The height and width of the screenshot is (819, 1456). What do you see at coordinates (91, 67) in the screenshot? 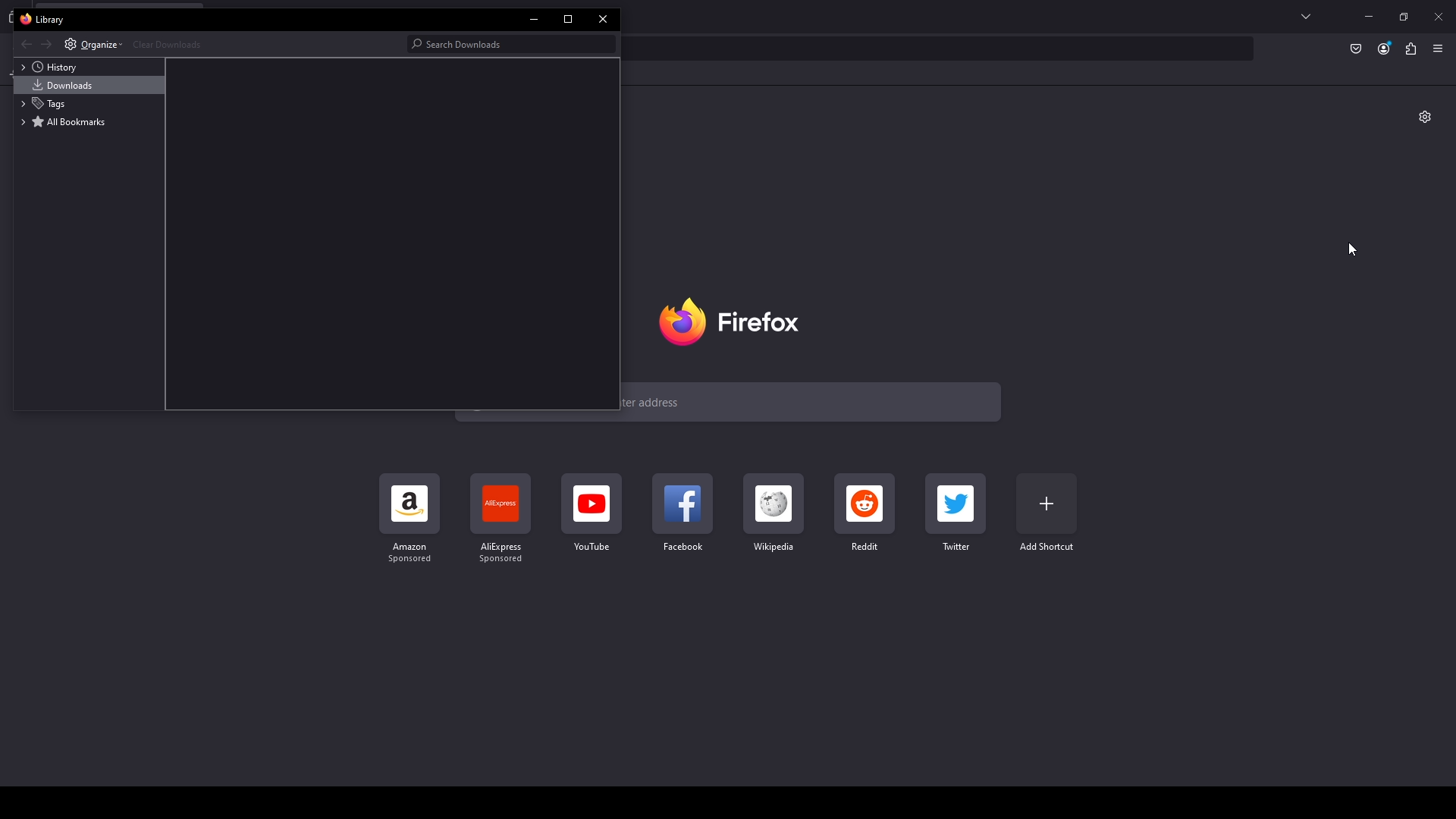
I see `History` at bounding box center [91, 67].